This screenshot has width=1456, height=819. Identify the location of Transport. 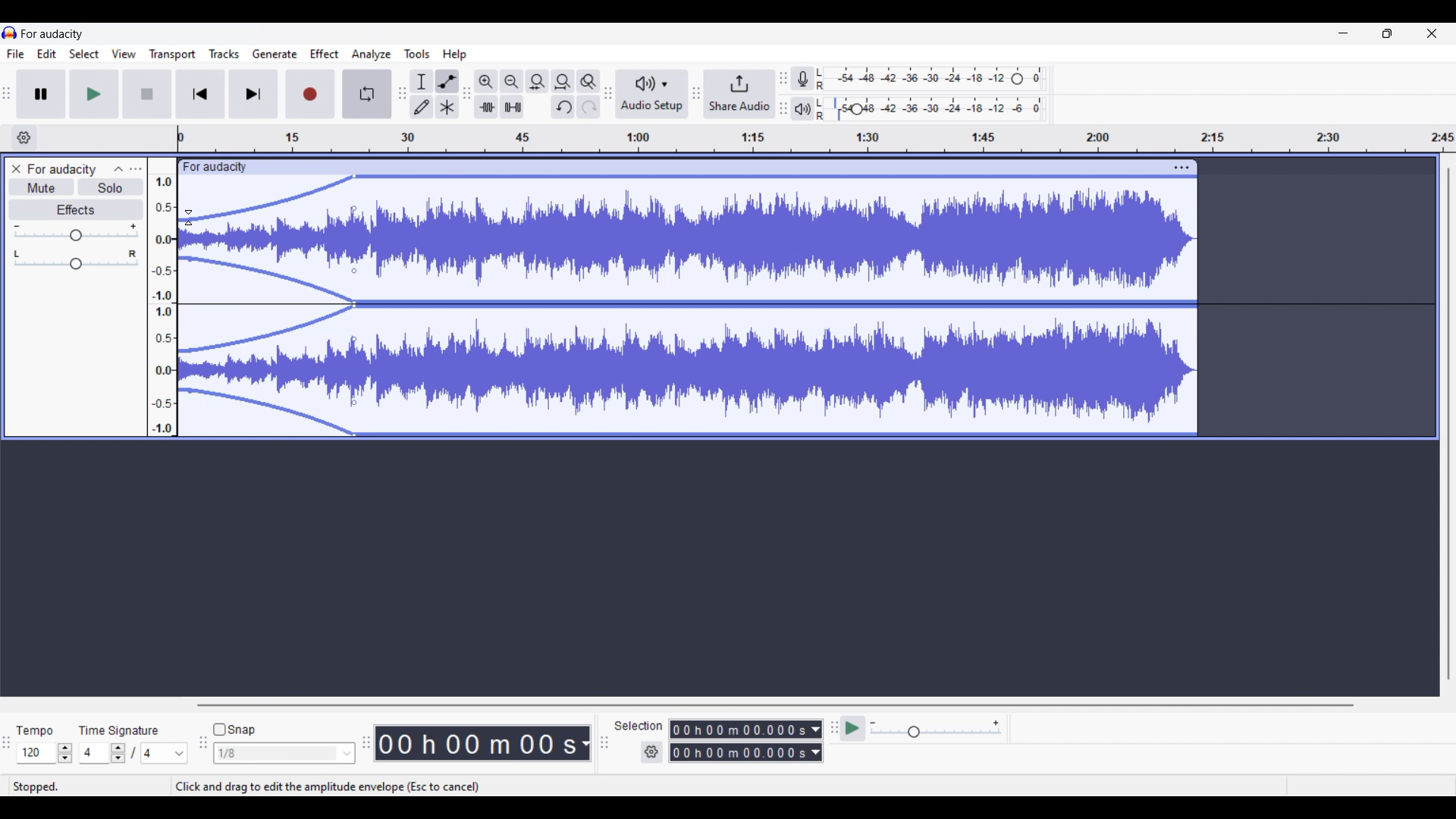
(172, 55).